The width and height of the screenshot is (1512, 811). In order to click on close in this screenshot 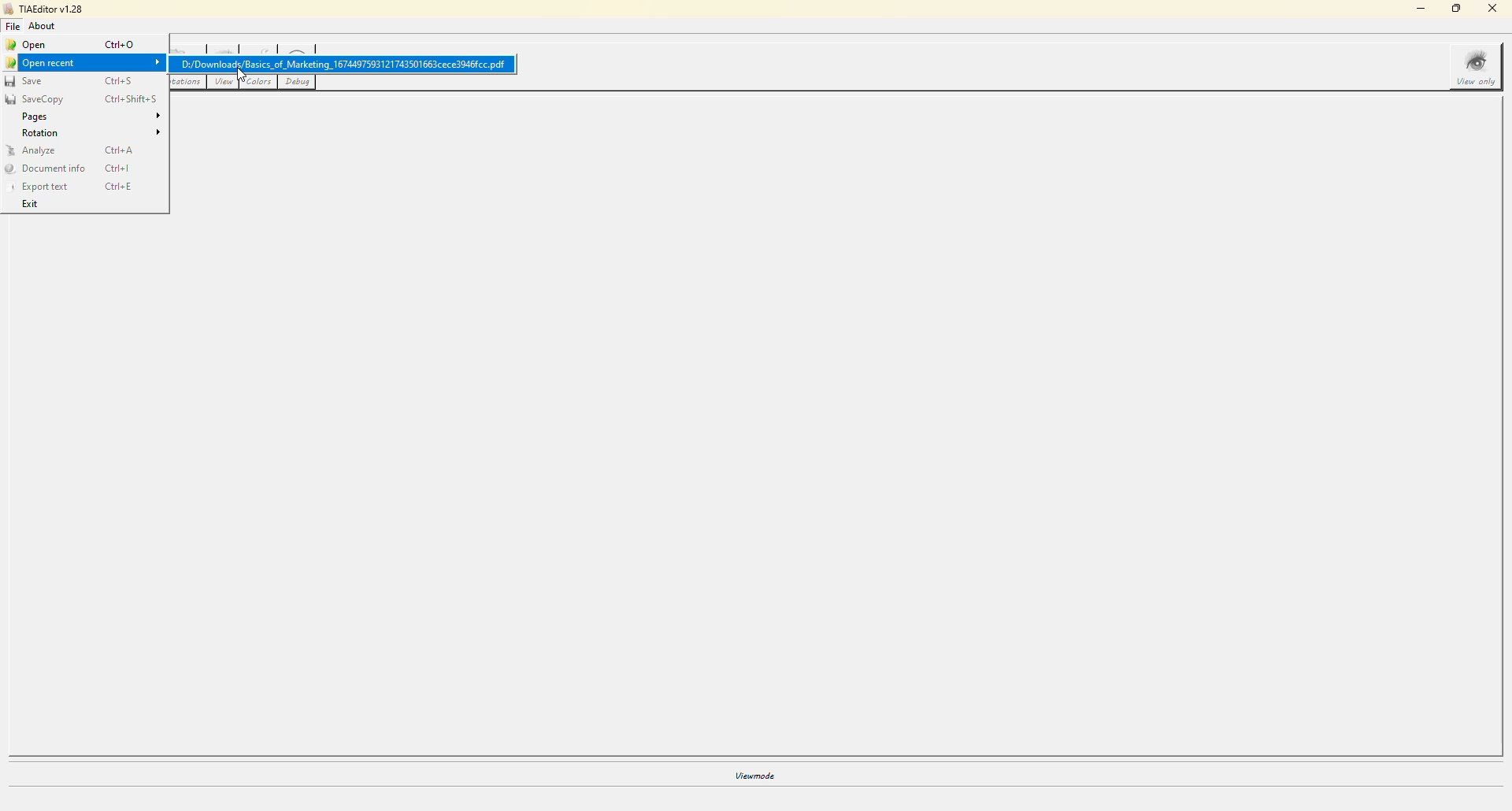, I will do `click(1493, 9)`.